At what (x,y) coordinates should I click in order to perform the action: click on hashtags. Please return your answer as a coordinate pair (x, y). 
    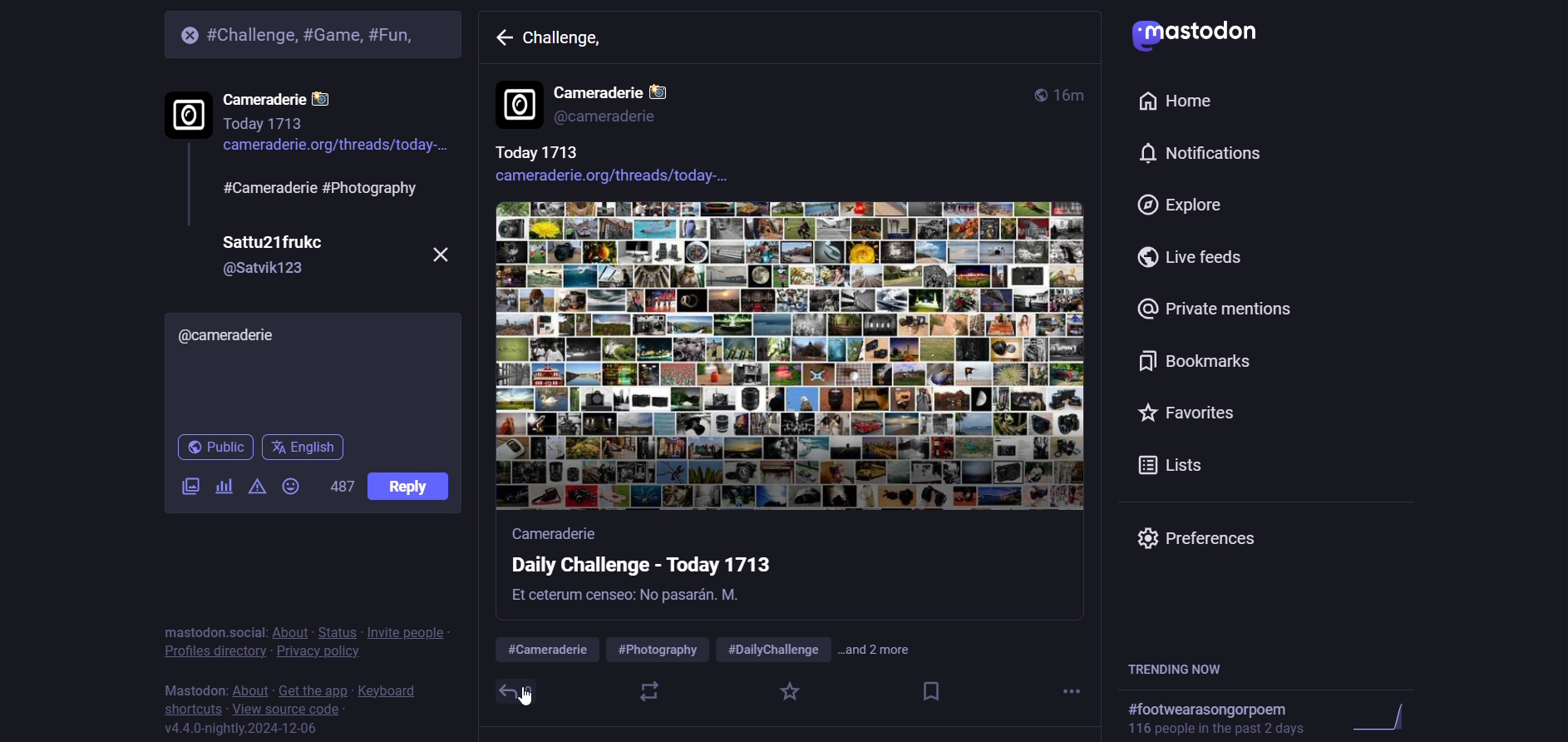
    Looking at the image, I should click on (321, 188).